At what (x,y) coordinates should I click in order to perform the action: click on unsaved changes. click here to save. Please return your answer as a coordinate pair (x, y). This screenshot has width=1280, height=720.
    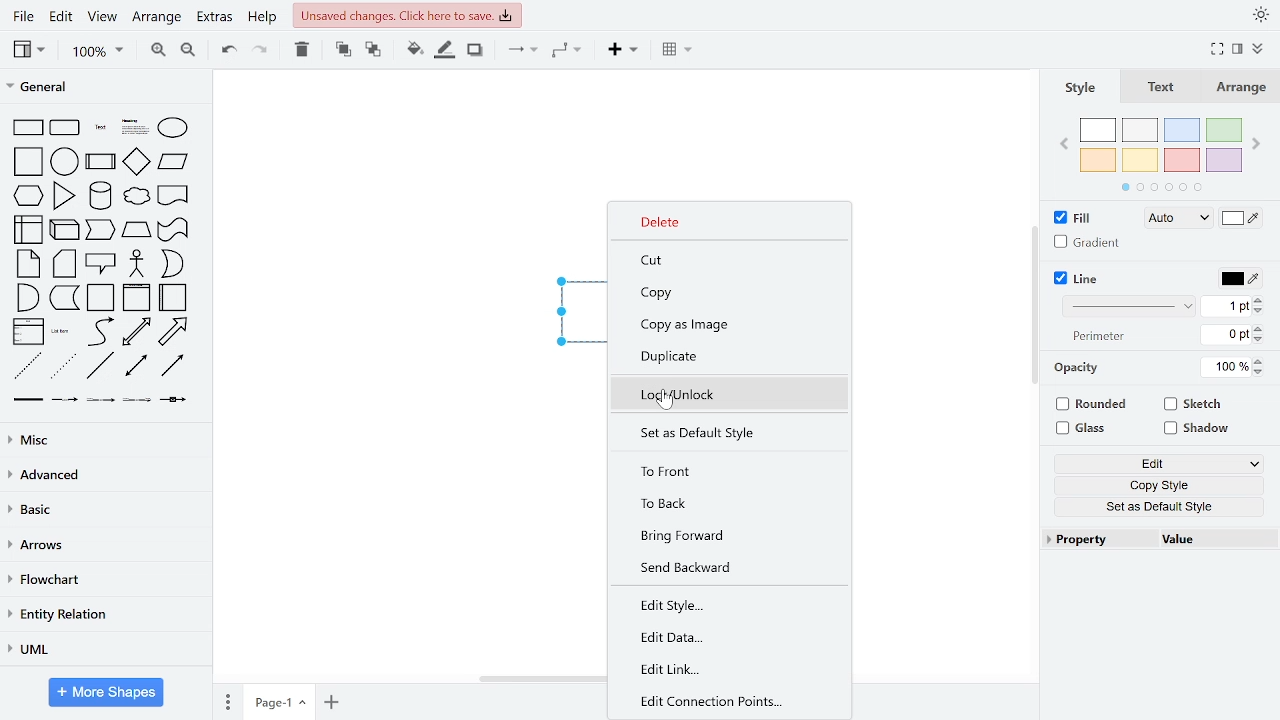
    Looking at the image, I should click on (406, 15).